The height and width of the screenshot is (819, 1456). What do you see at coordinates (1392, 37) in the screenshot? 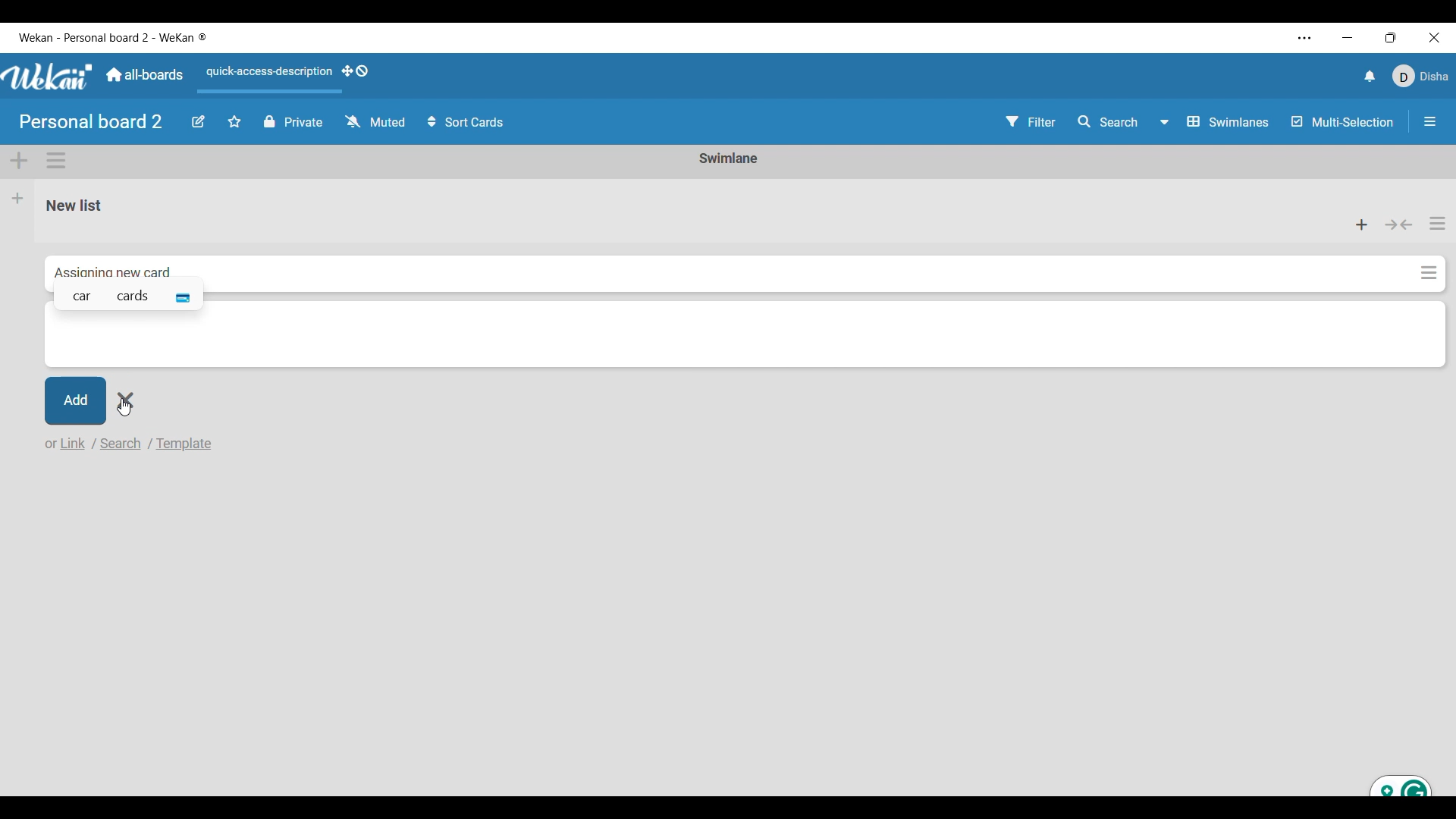
I see `Show interface in a smaller tab ` at bounding box center [1392, 37].